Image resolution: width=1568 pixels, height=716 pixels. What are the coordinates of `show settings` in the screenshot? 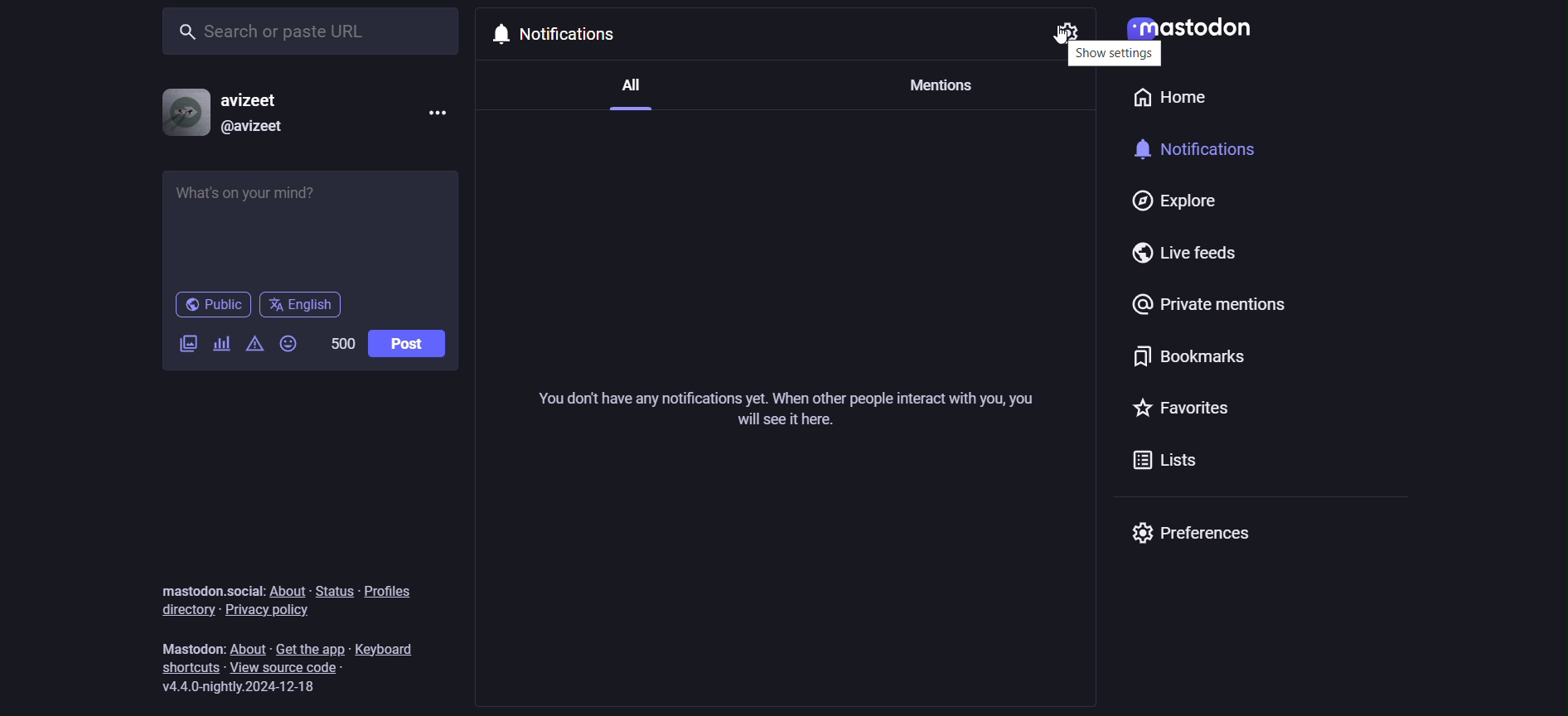 It's located at (1114, 54).